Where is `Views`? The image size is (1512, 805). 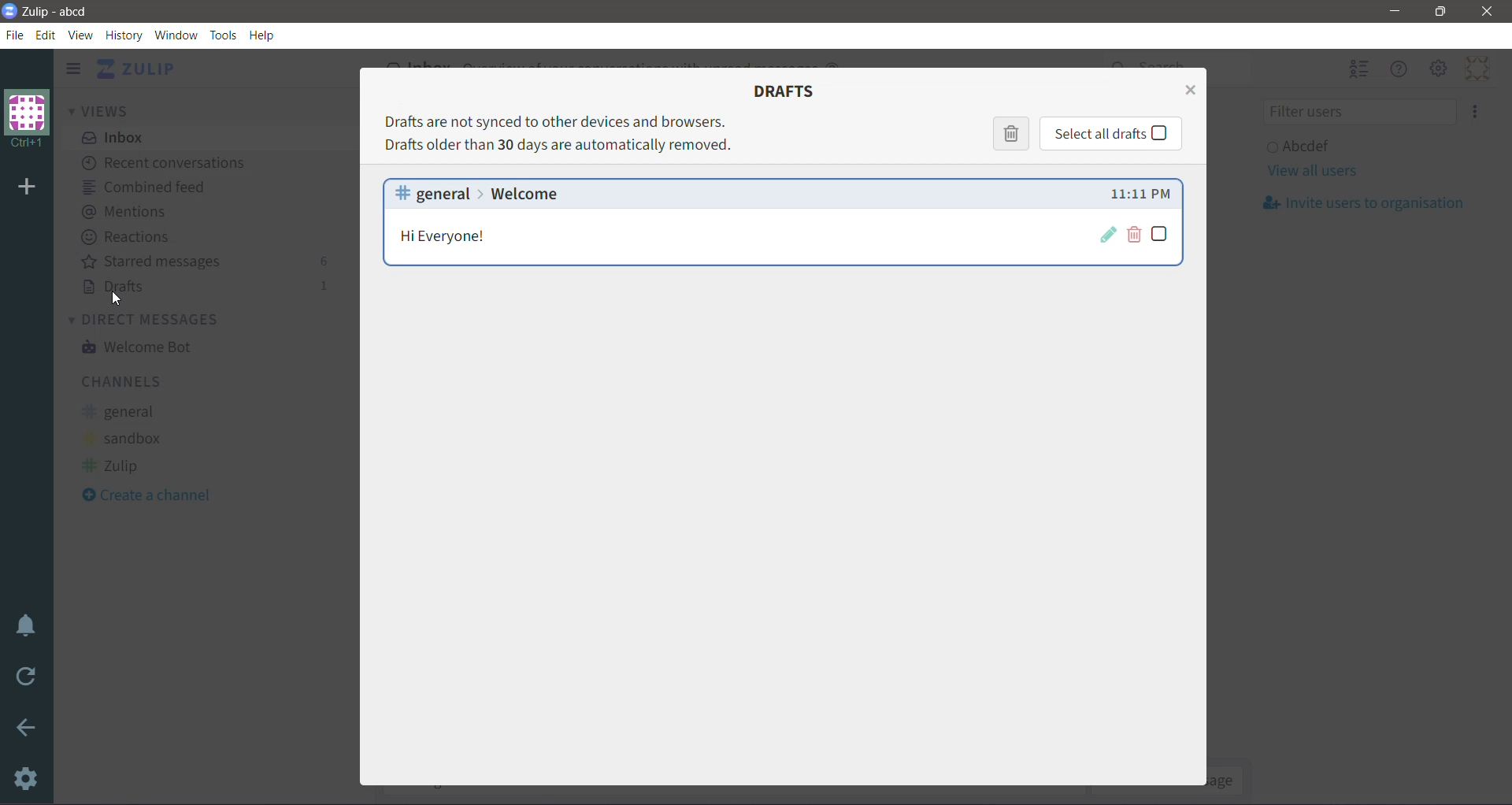 Views is located at coordinates (110, 109).